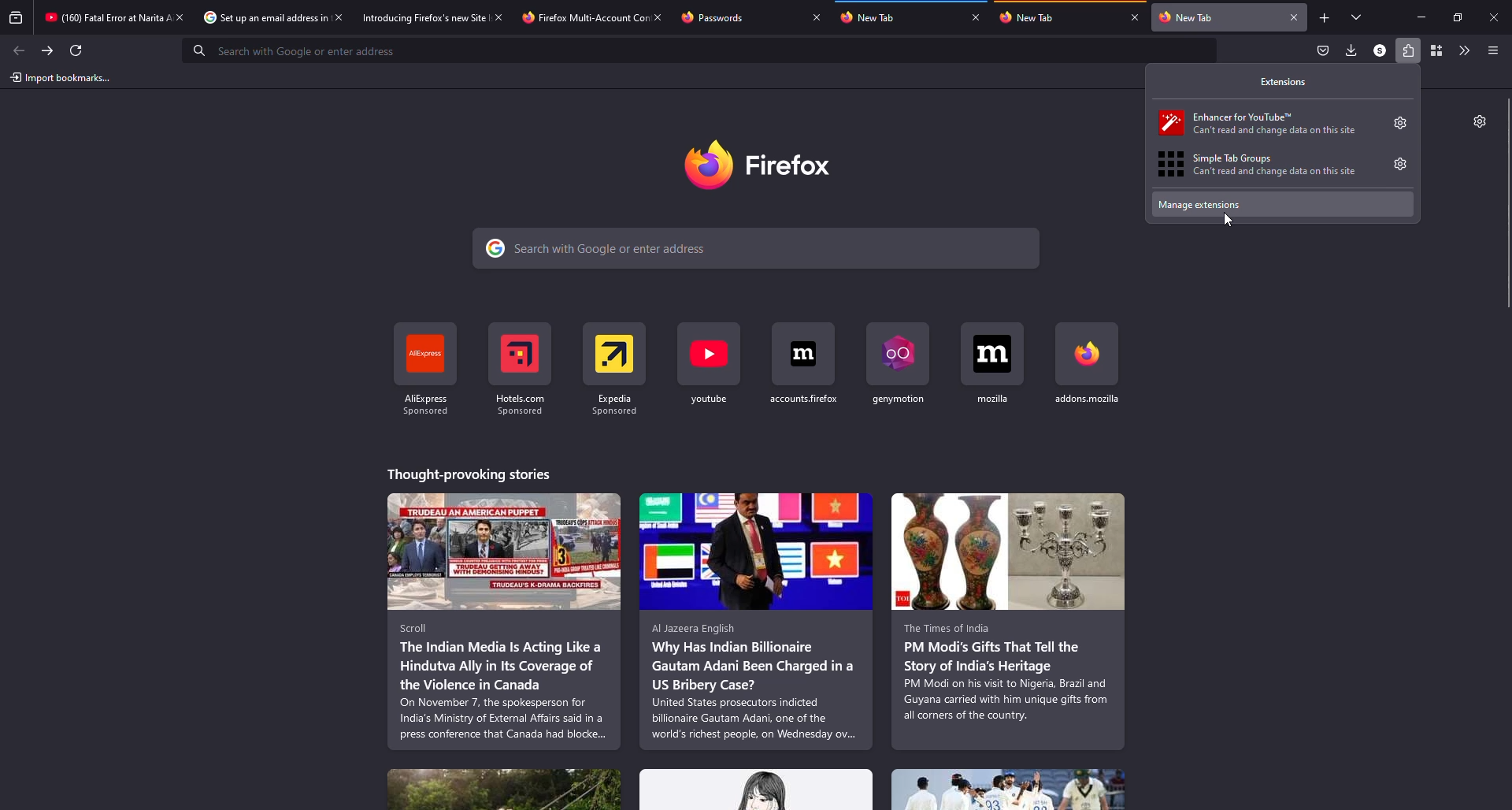 This screenshot has width=1512, height=810. I want to click on stories, so click(754, 621).